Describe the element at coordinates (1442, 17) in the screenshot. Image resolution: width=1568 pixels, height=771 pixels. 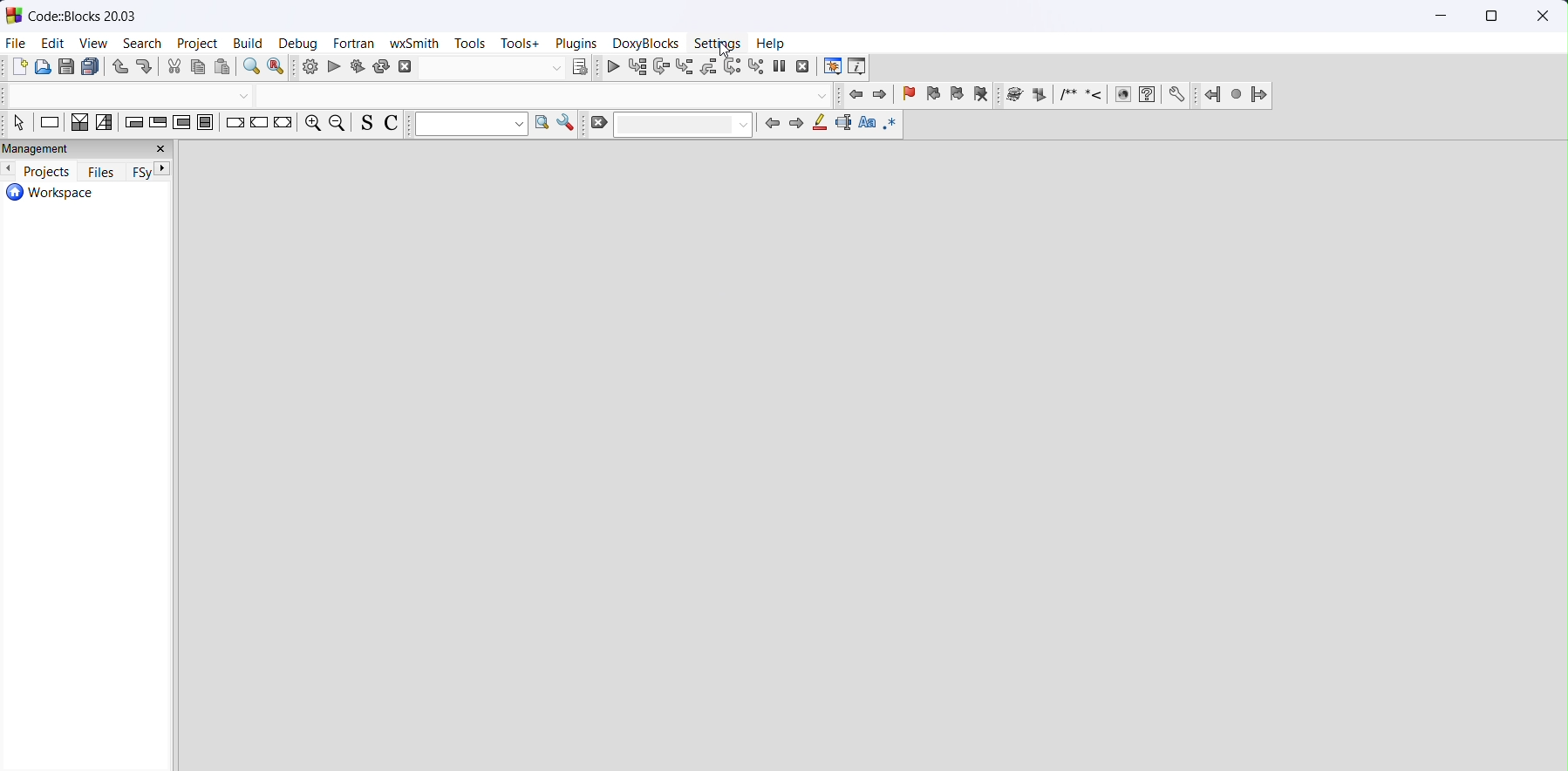
I see `minimize` at that location.